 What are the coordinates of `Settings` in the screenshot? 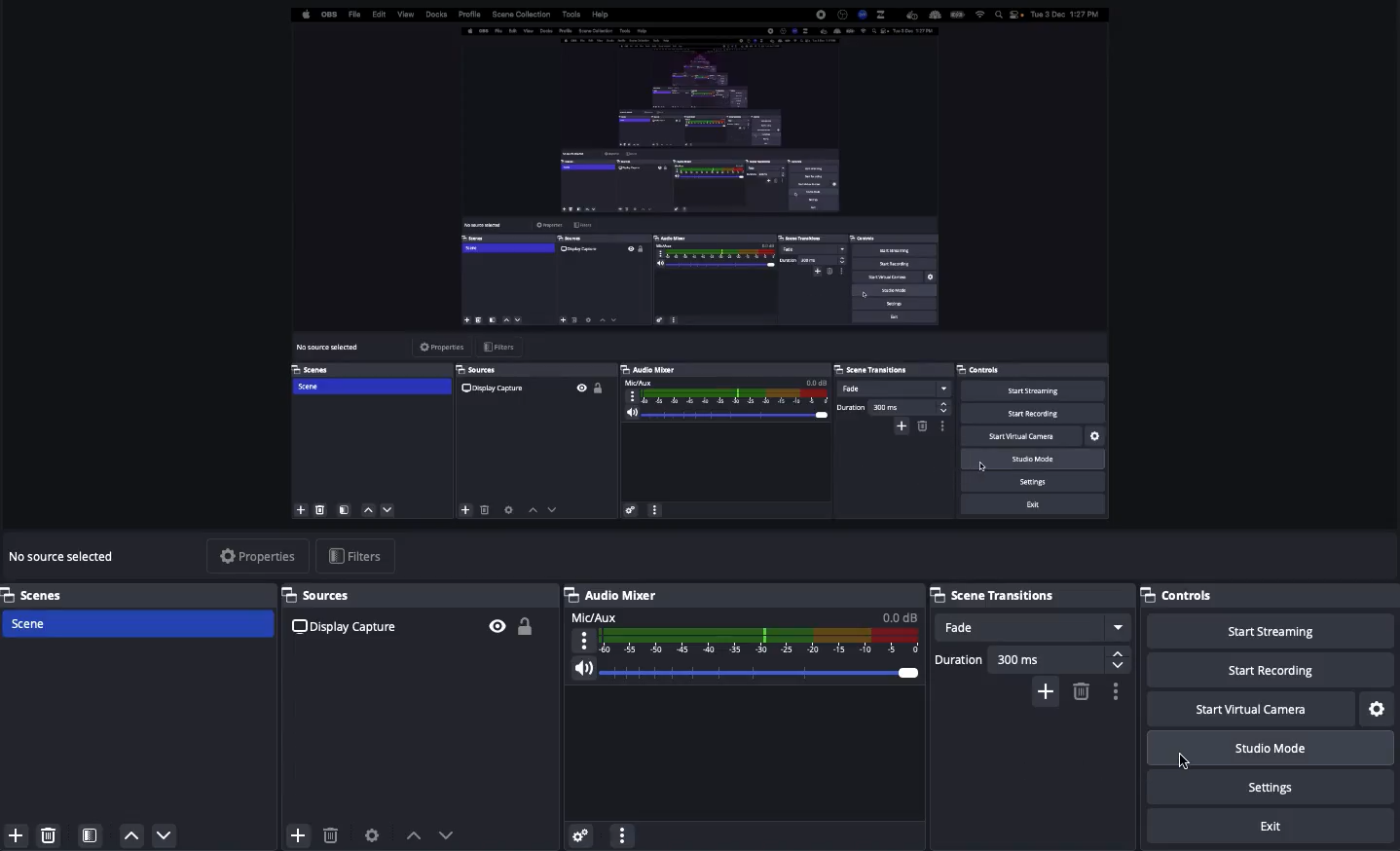 It's located at (1273, 786).